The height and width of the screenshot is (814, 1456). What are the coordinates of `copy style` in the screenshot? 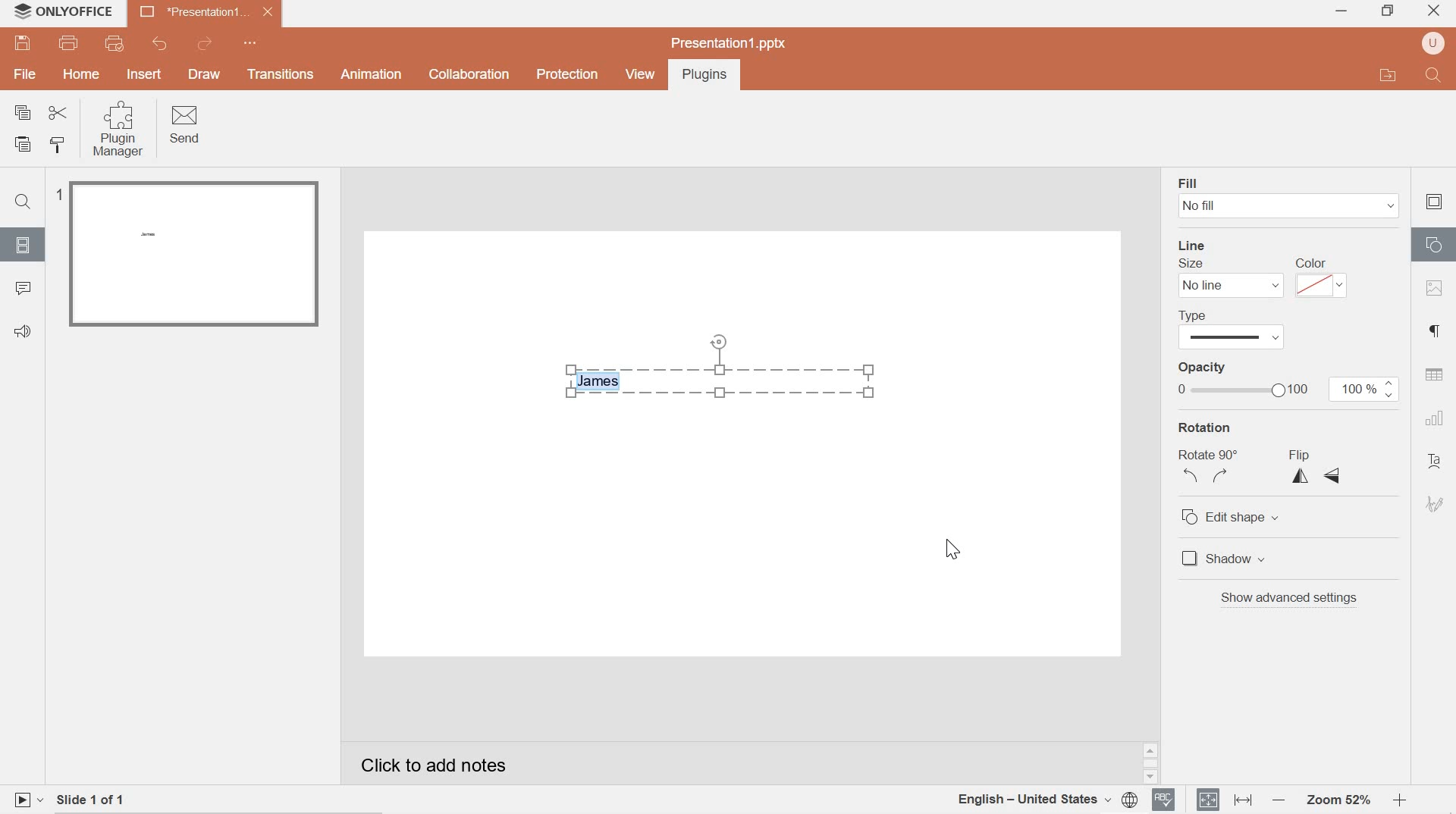 It's located at (62, 146).